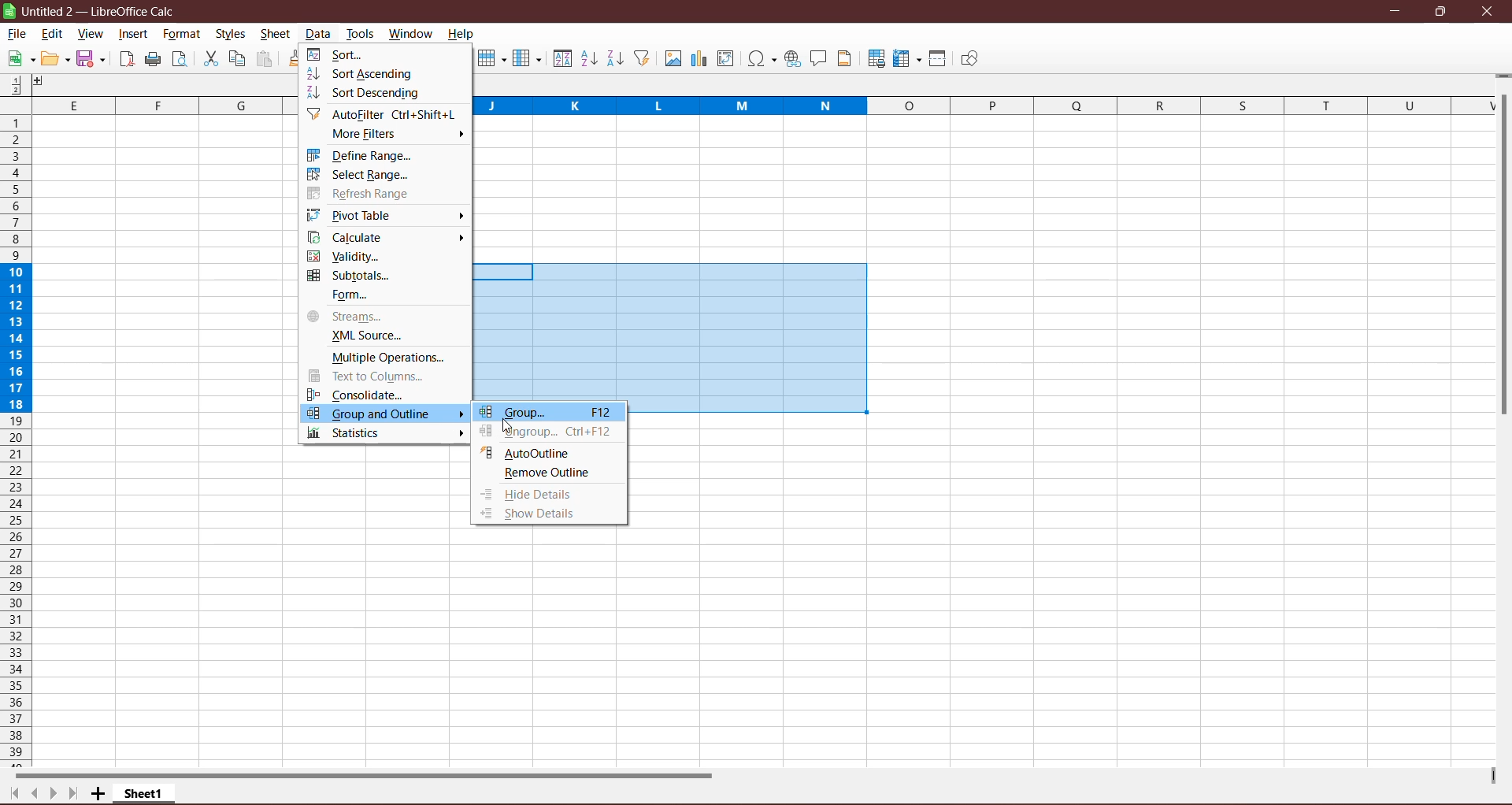 This screenshot has height=805, width=1512. Describe the element at coordinates (699, 58) in the screenshot. I see `Insert Poll` at that location.